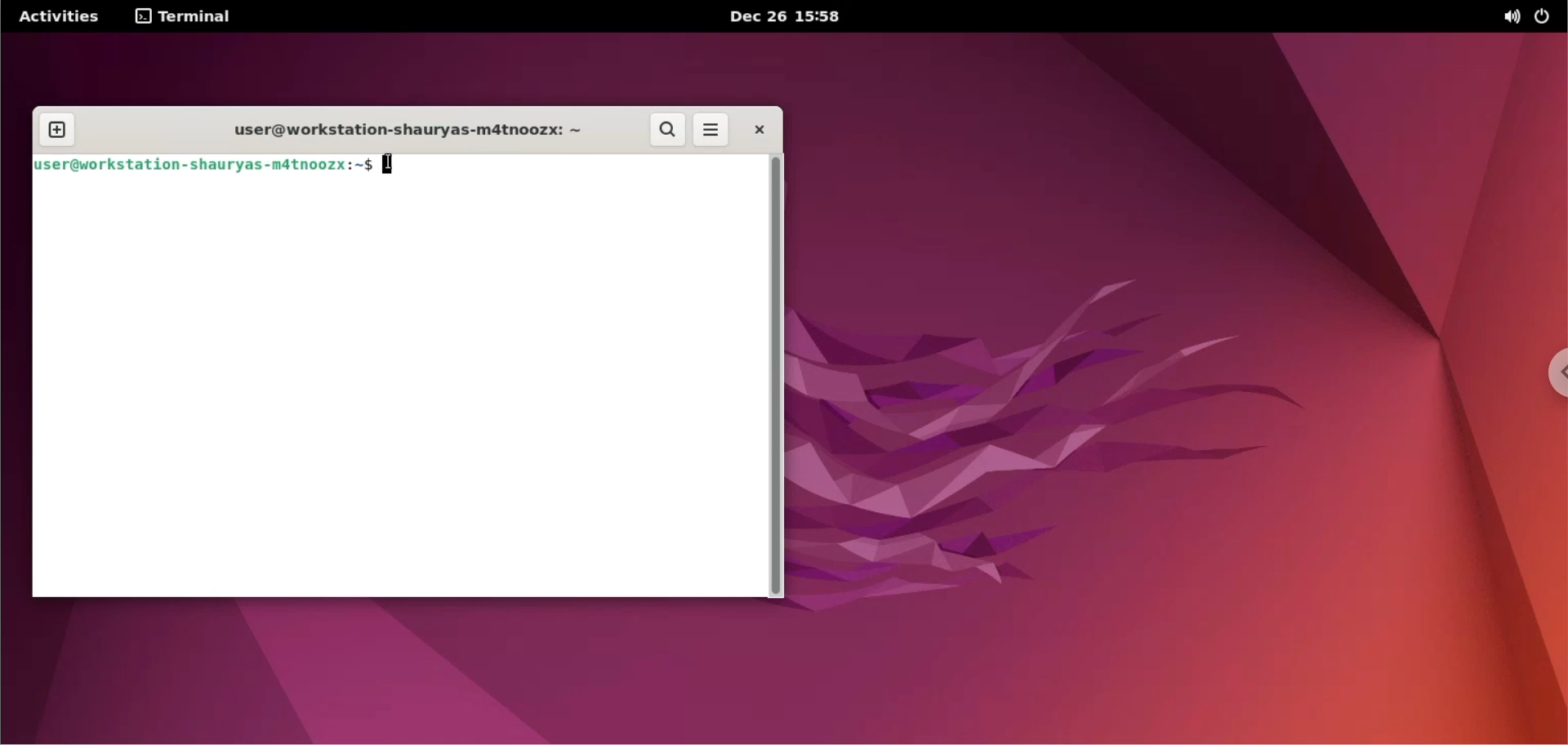 This screenshot has width=1568, height=745. Describe the element at coordinates (1548, 15) in the screenshot. I see `power options` at that location.